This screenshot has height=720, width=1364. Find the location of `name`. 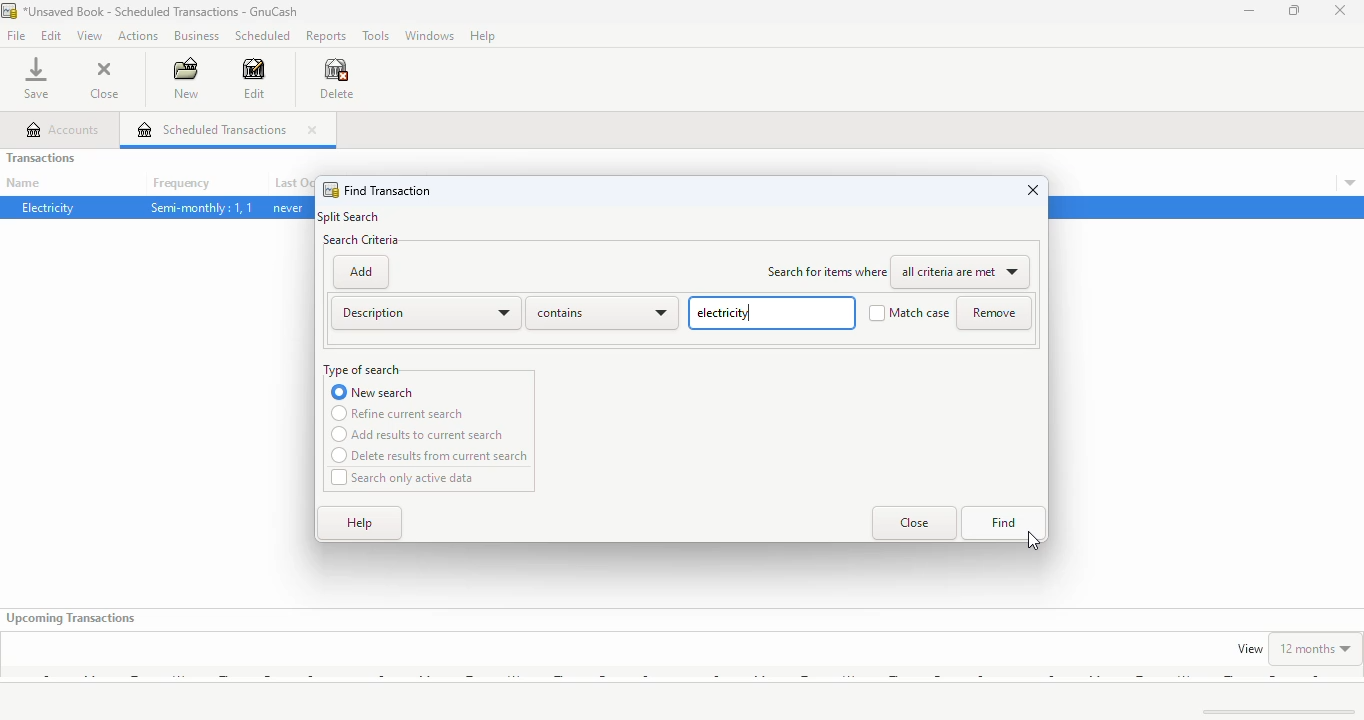

name is located at coordinates (23, 183).